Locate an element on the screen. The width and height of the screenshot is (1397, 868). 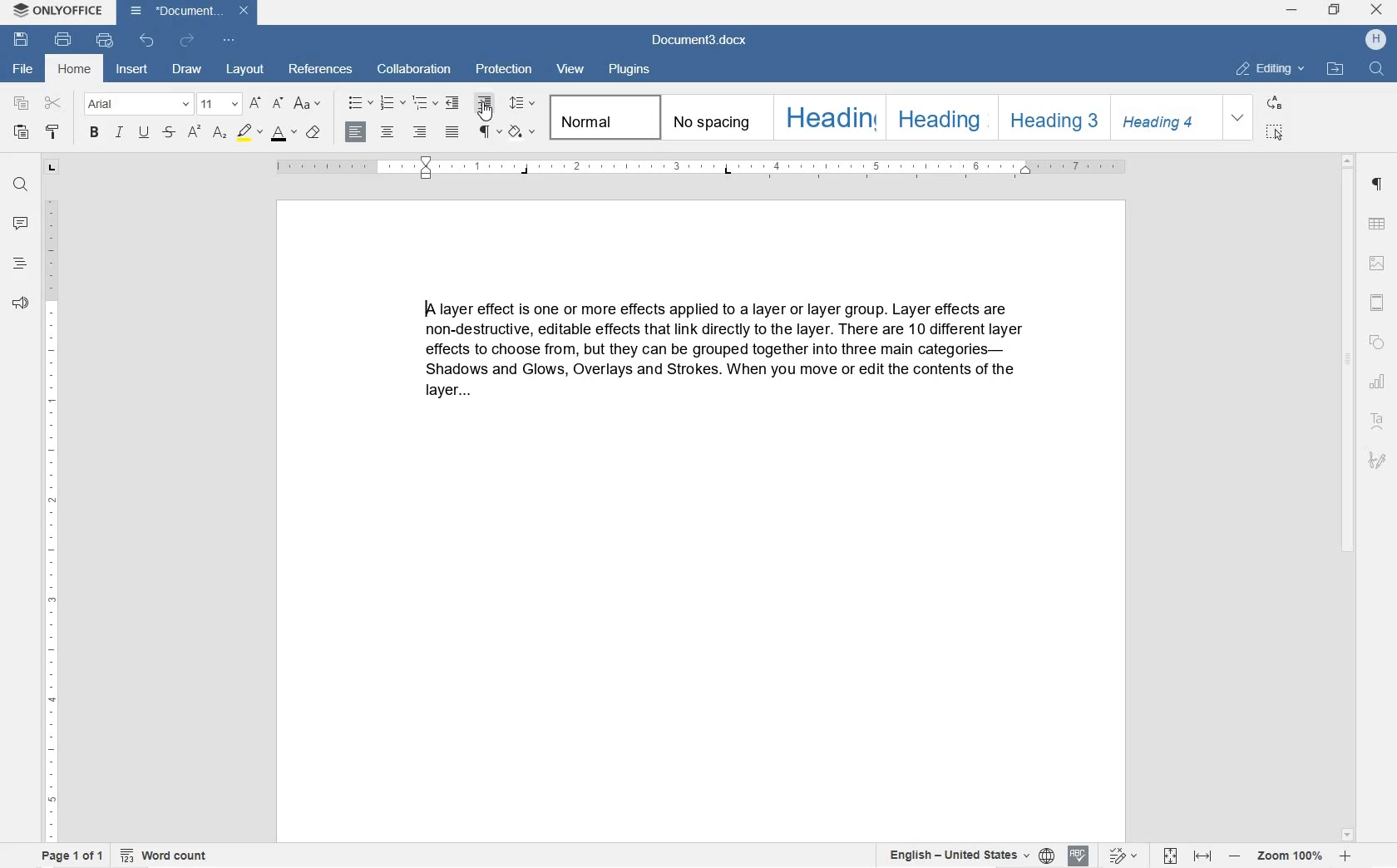
HEADINGS is located at coordinates (20, 264).